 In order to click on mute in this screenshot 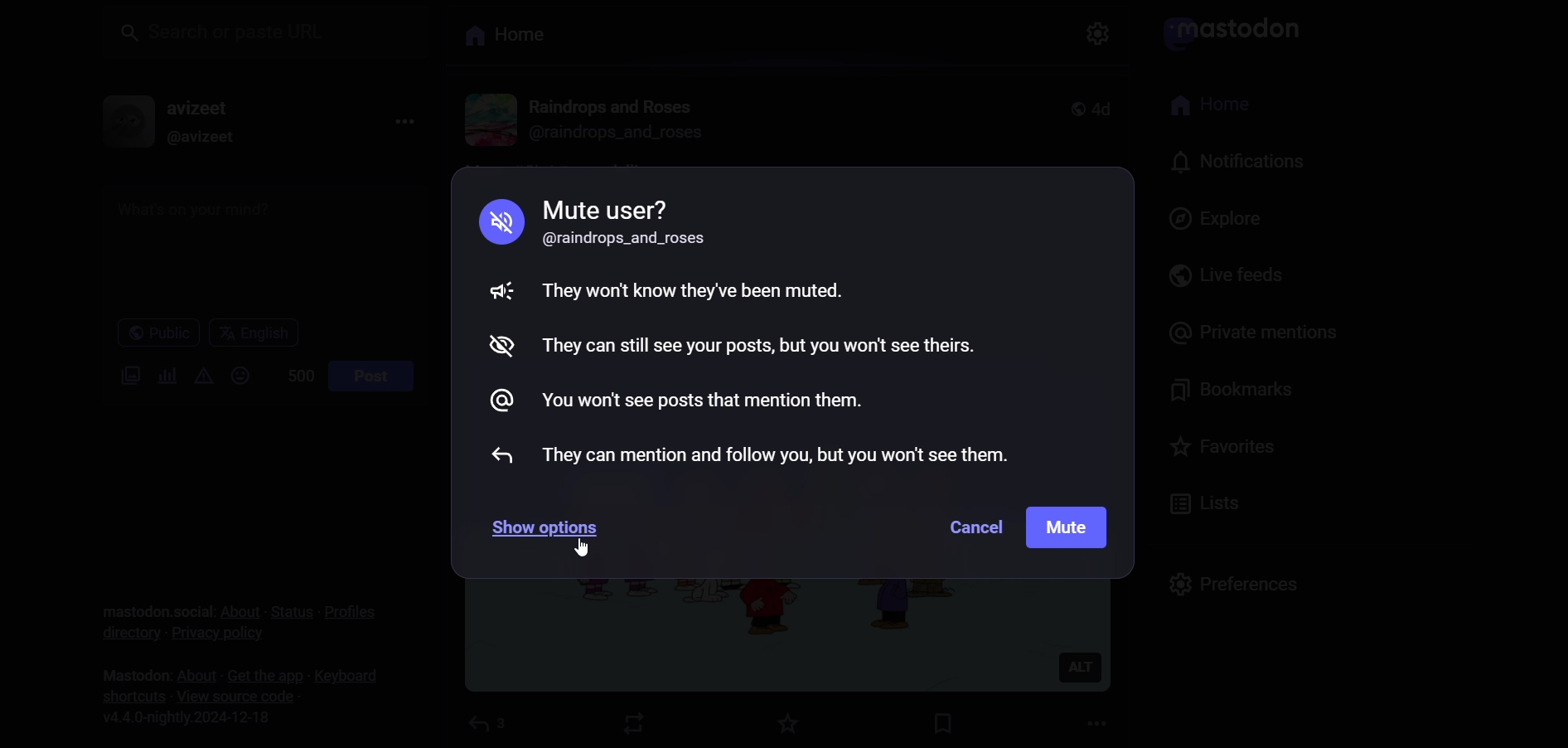, I will do `click(1068, 527)`.